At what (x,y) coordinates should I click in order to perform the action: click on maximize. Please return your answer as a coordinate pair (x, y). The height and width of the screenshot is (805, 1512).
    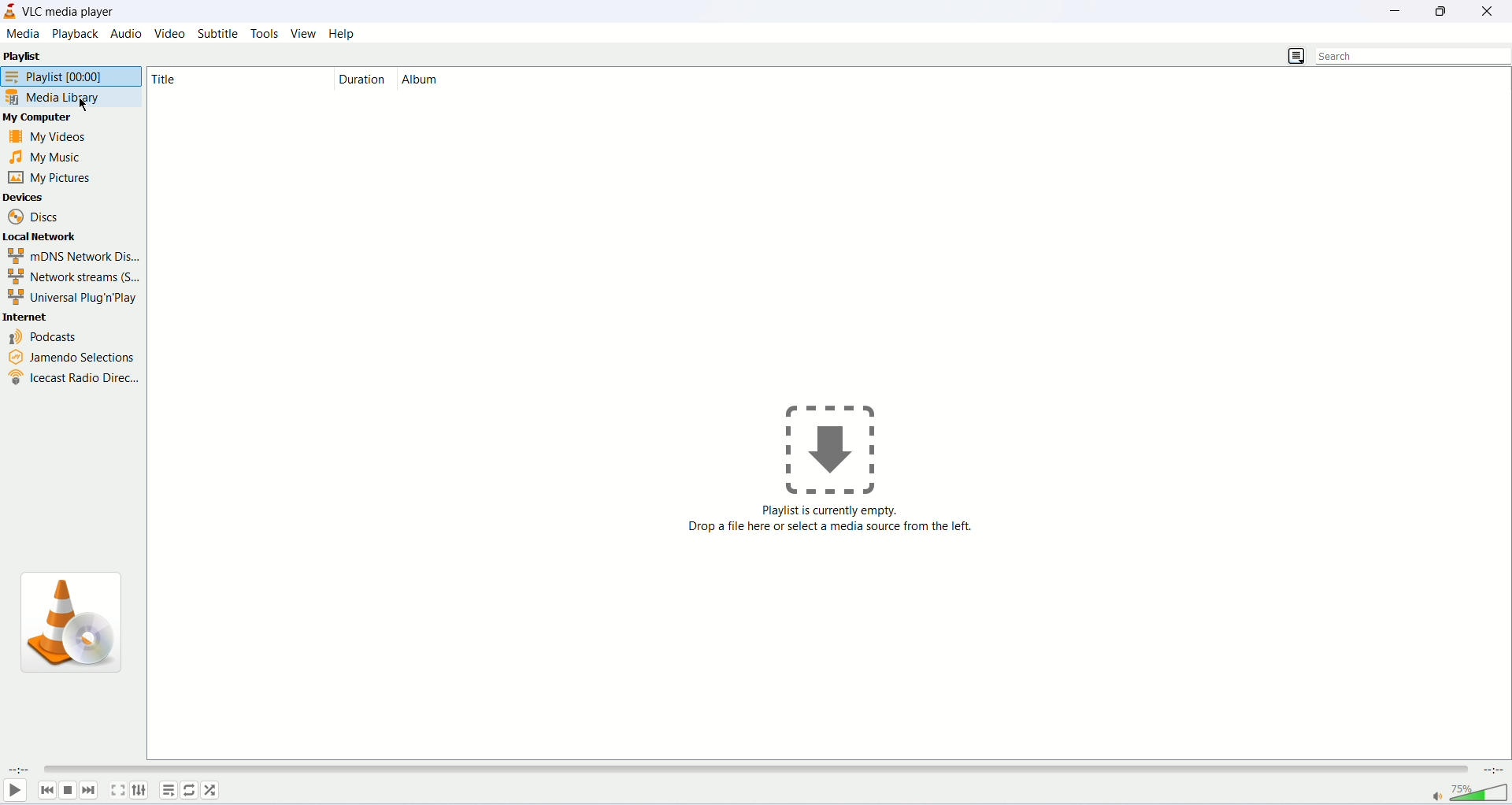
    Looking at the image, I should click on (1443, 12).